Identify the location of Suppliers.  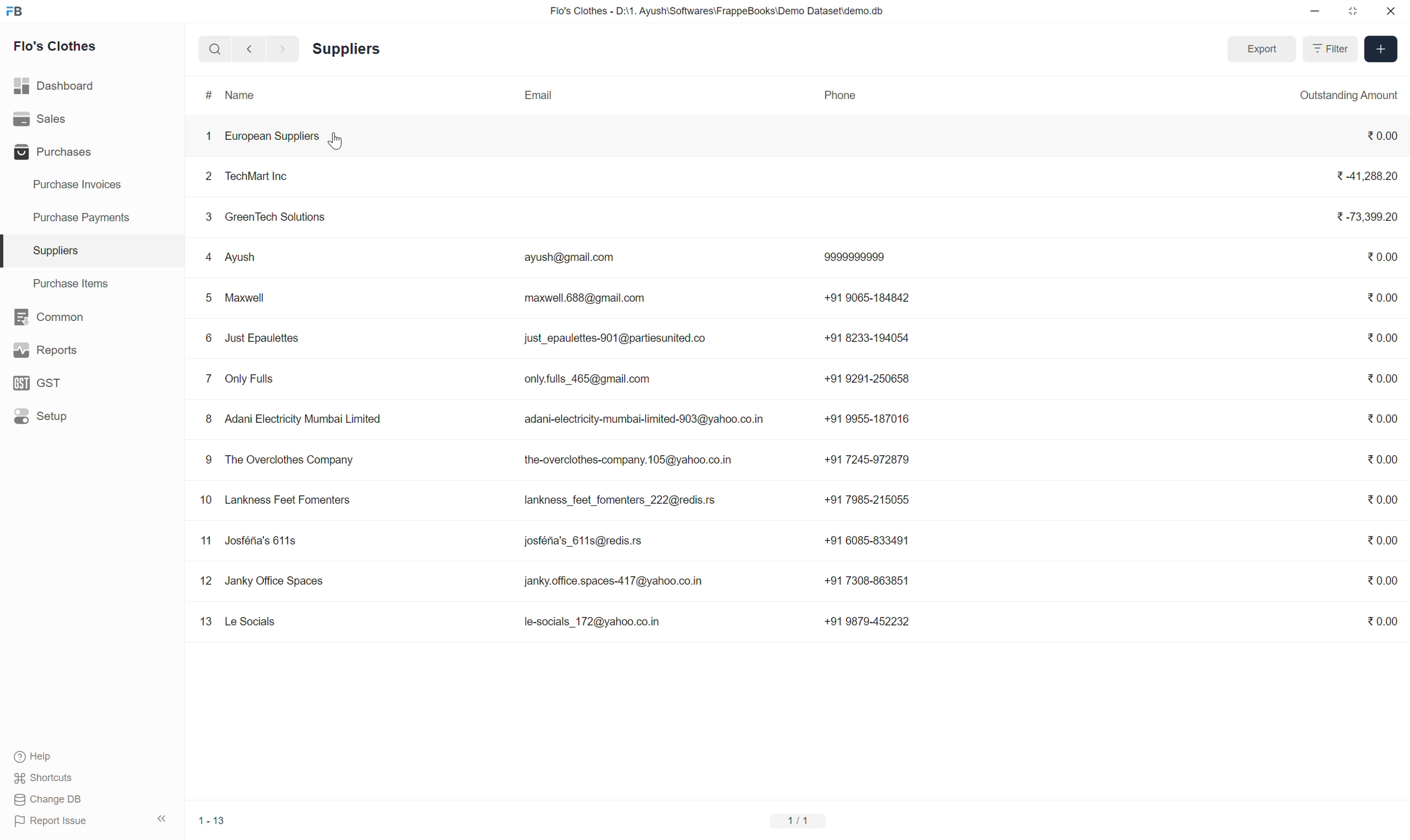
(350, 48).